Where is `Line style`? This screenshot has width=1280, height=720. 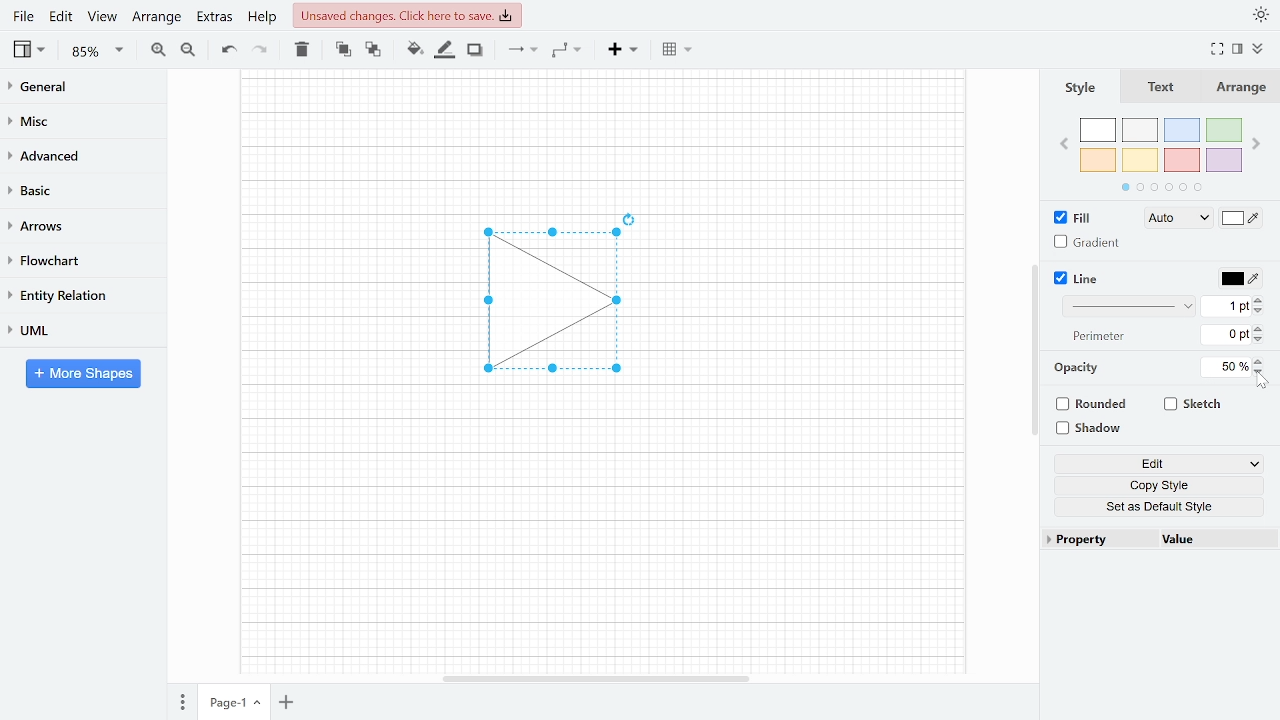
Line style is located at coordinates (1132, 306).